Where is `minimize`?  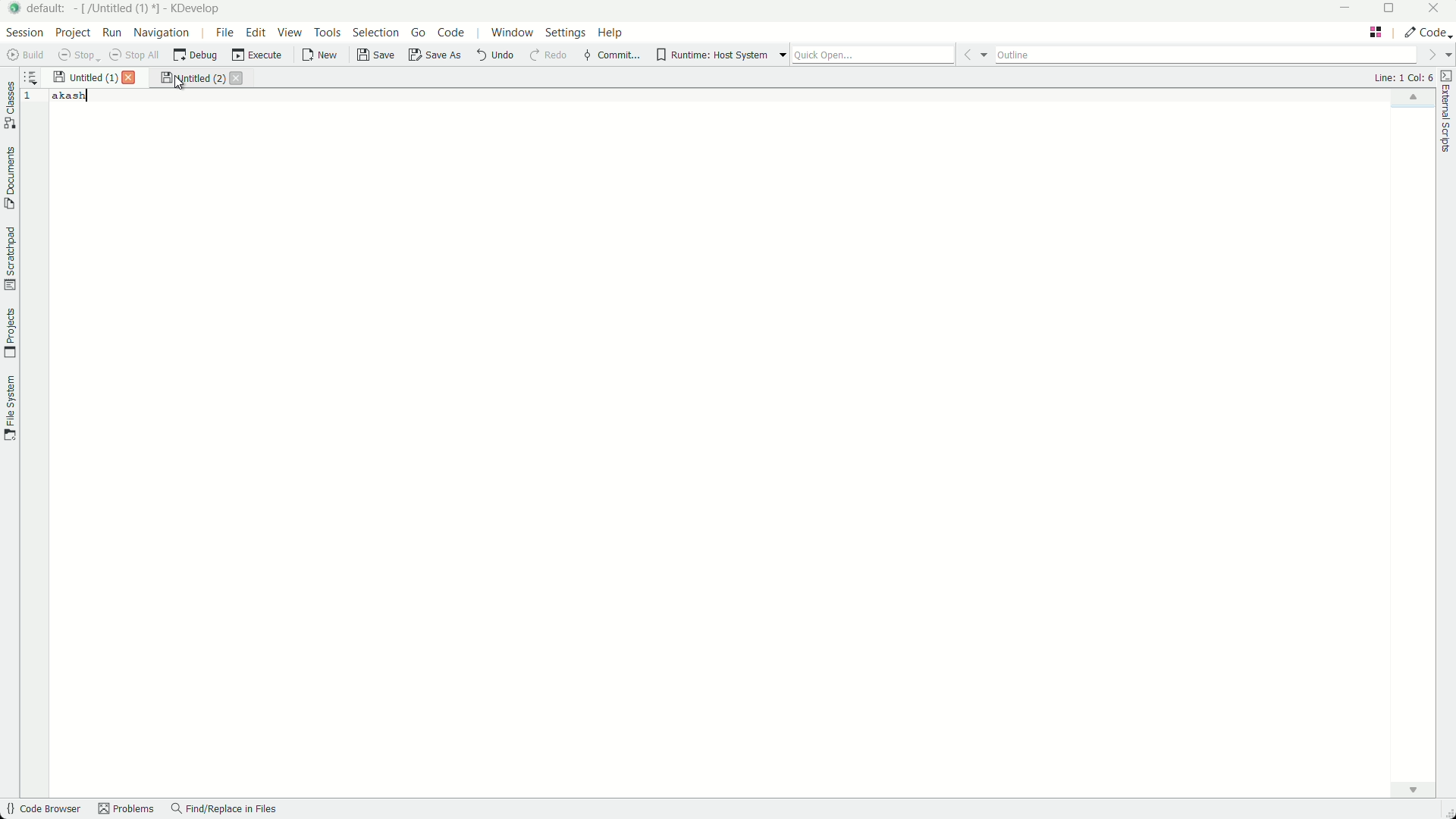 minimize is located at coordinates (1340, 9).